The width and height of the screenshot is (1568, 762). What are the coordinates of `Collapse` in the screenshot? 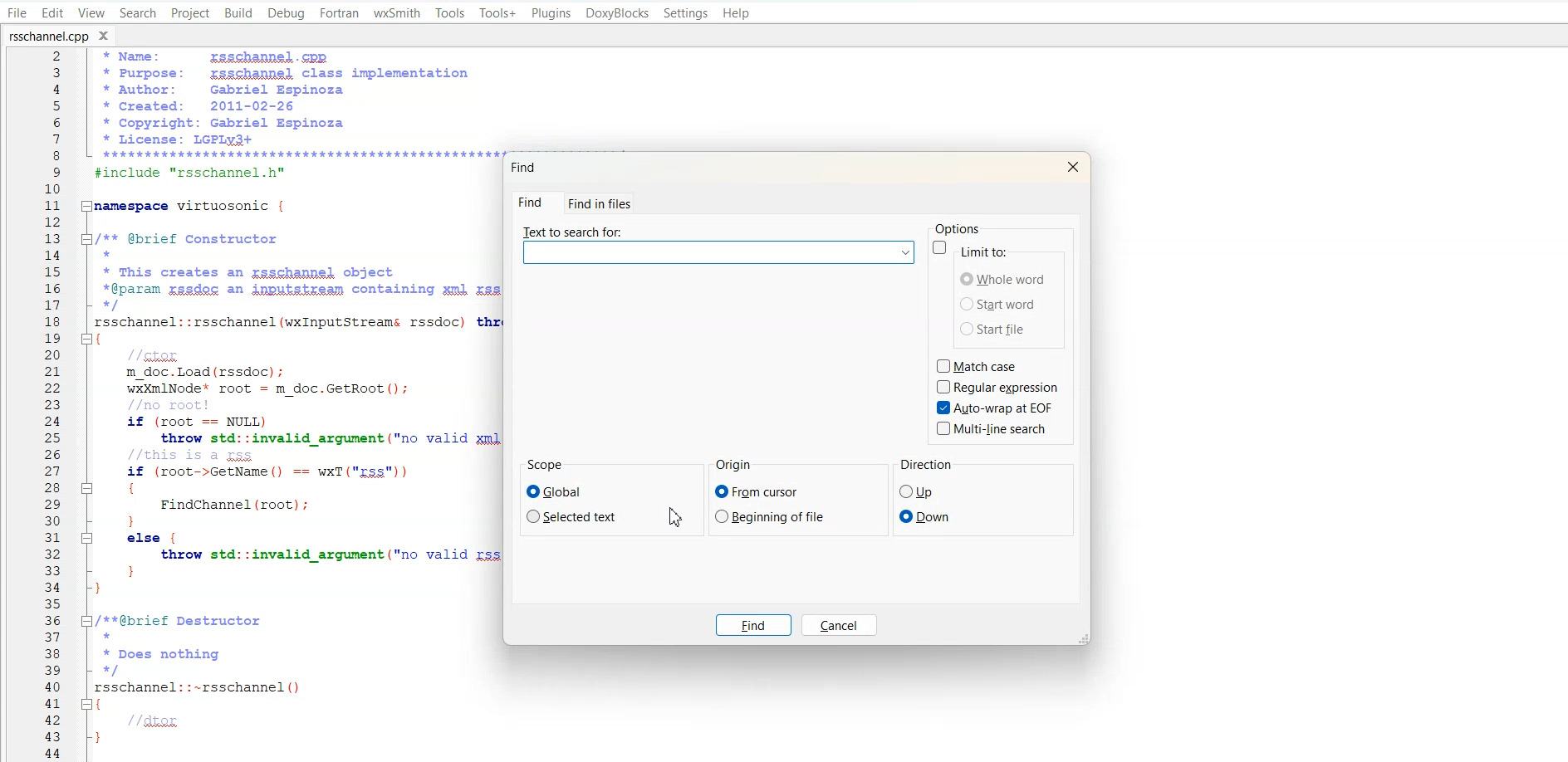 It's located at (88, 539).